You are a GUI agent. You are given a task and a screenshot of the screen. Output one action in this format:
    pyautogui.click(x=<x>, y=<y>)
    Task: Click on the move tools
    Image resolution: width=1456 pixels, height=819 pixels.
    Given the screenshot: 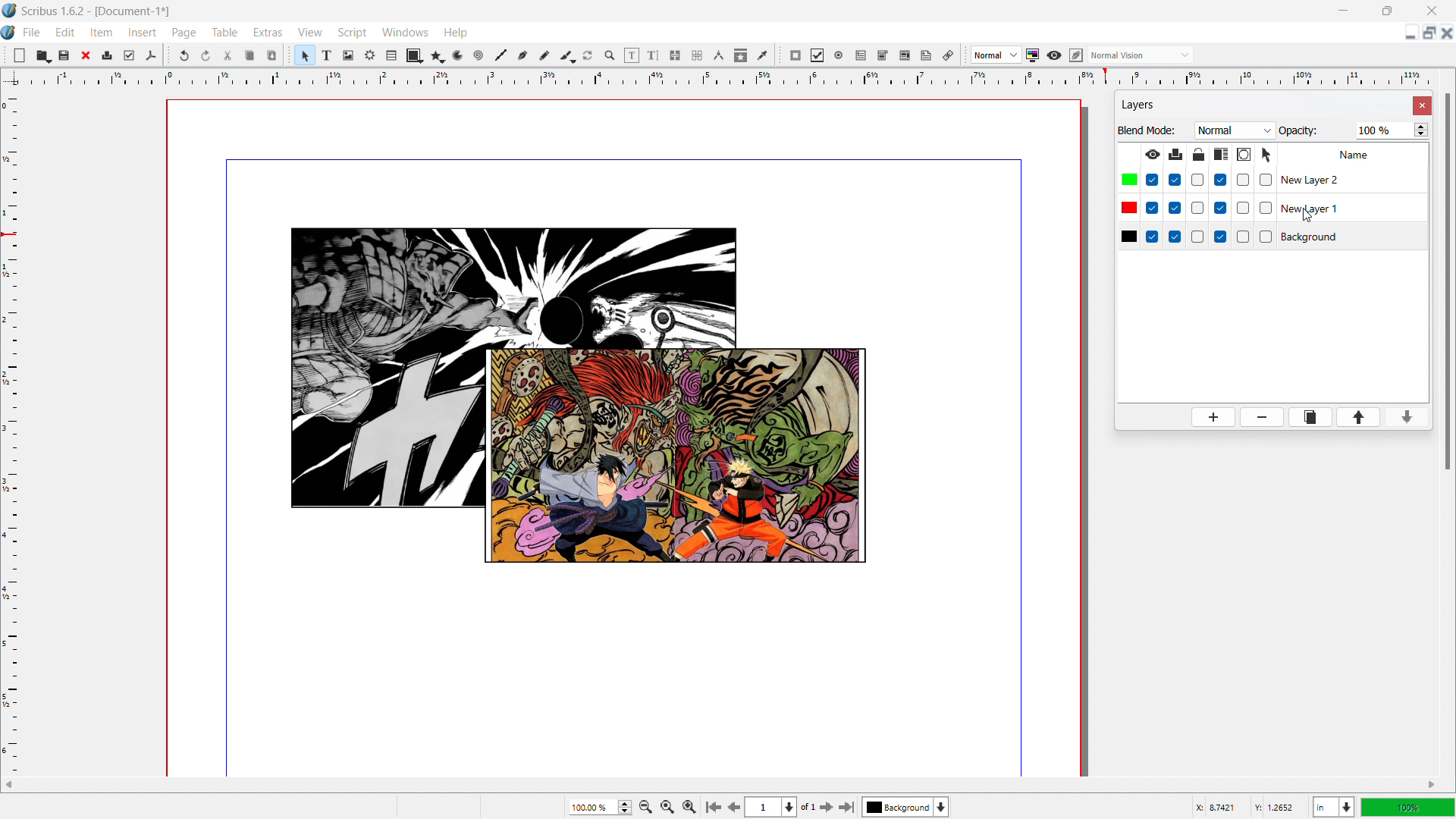 What is the action you would take?
    pyautogui.click(x=5, y=54)
    